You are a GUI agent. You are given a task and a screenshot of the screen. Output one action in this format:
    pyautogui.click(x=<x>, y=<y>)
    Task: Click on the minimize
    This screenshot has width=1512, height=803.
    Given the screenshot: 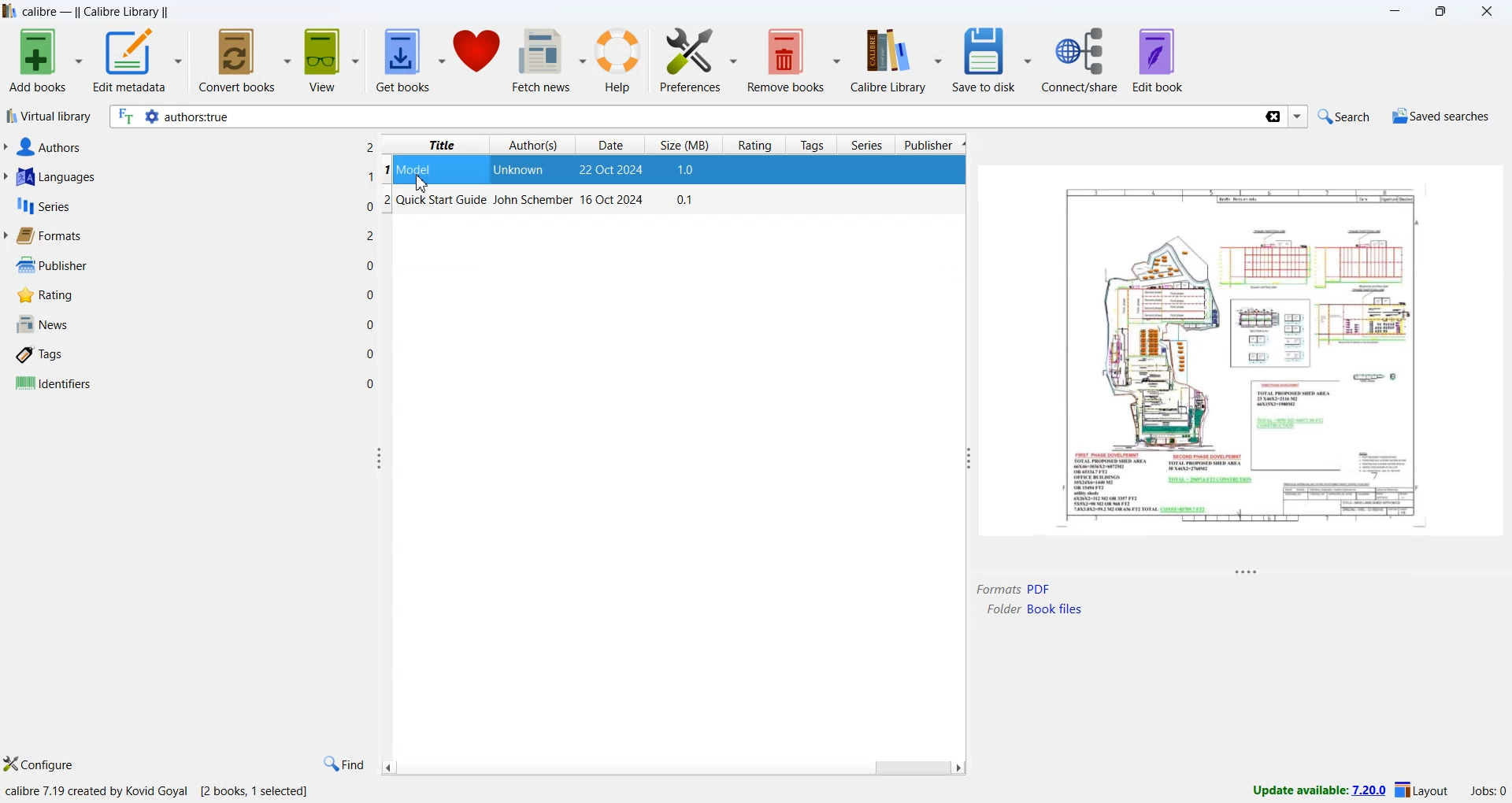 What is the action you would take?
    pyautogui.click(x=1399, y=13)
    